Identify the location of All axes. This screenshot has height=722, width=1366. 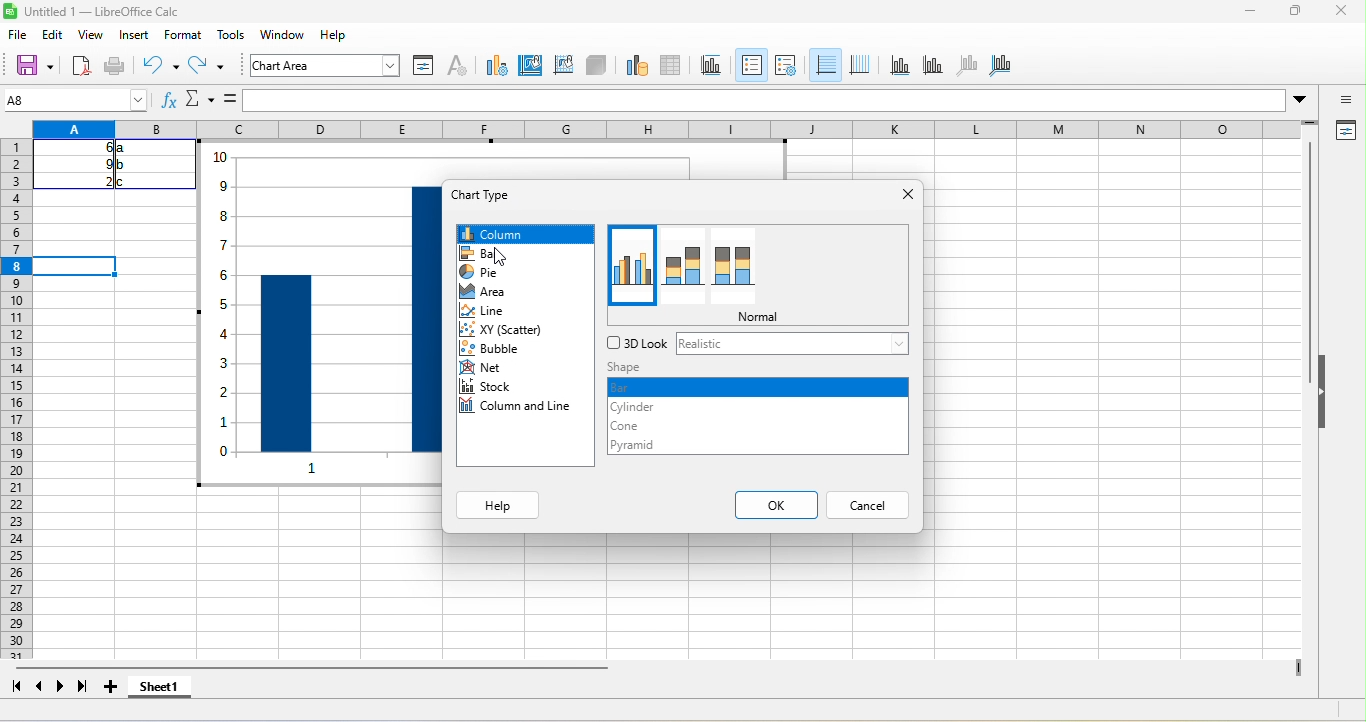
(1004, 66).